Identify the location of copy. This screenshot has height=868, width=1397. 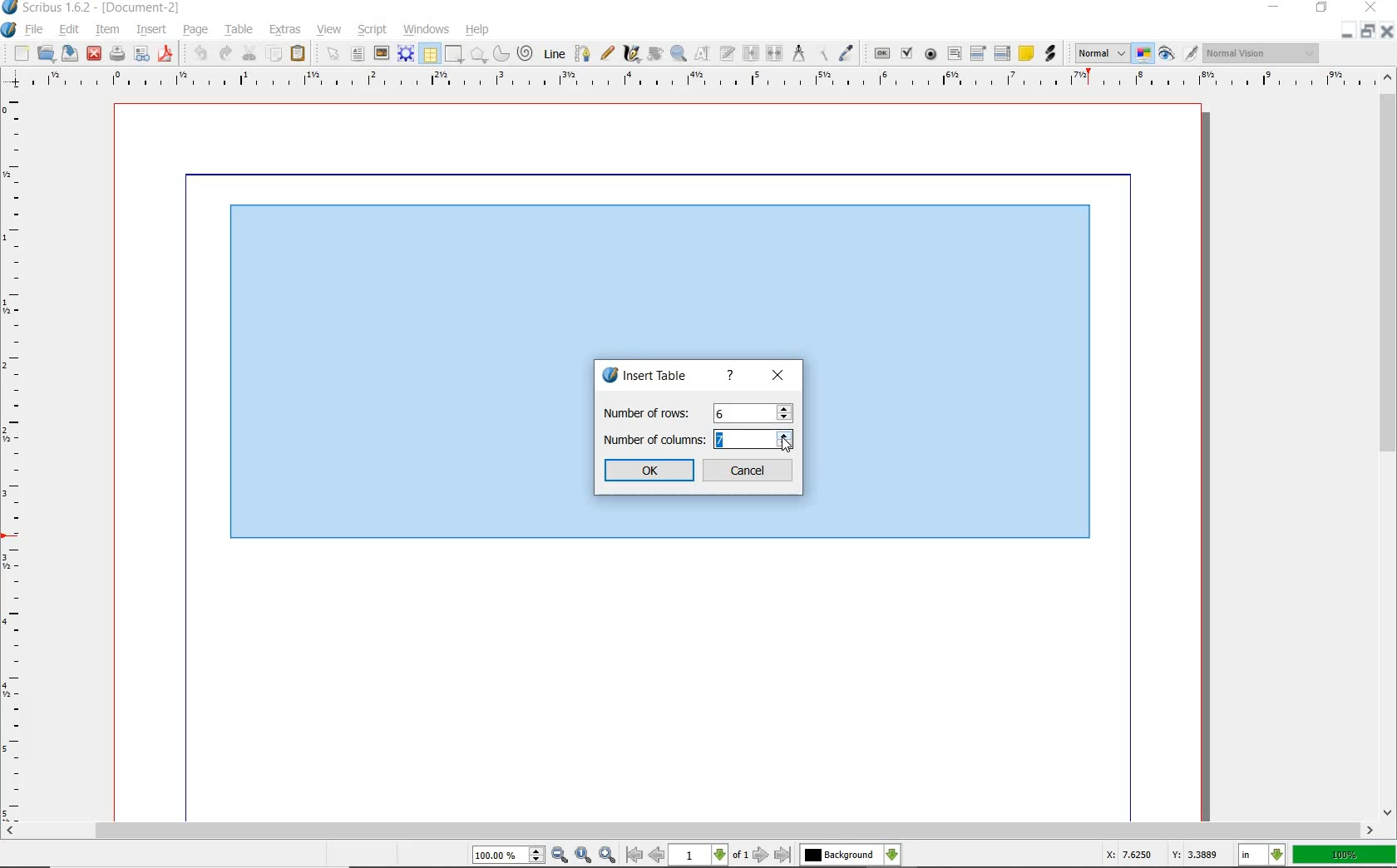
(275, 55).